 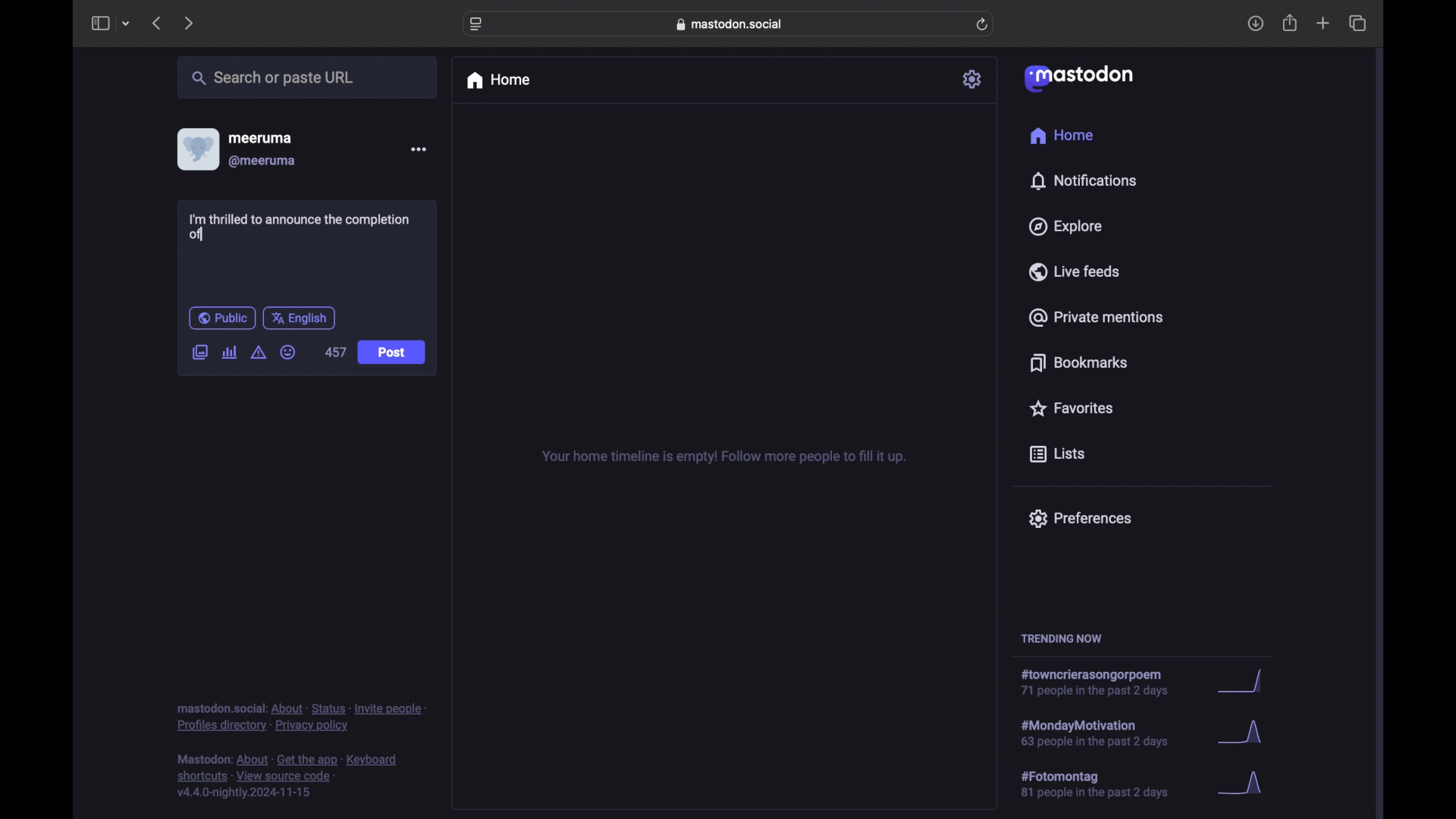 What do you see at coordinates (301, 718) in the screenshot?
I see `footnote` at bounding box center [301, 718].